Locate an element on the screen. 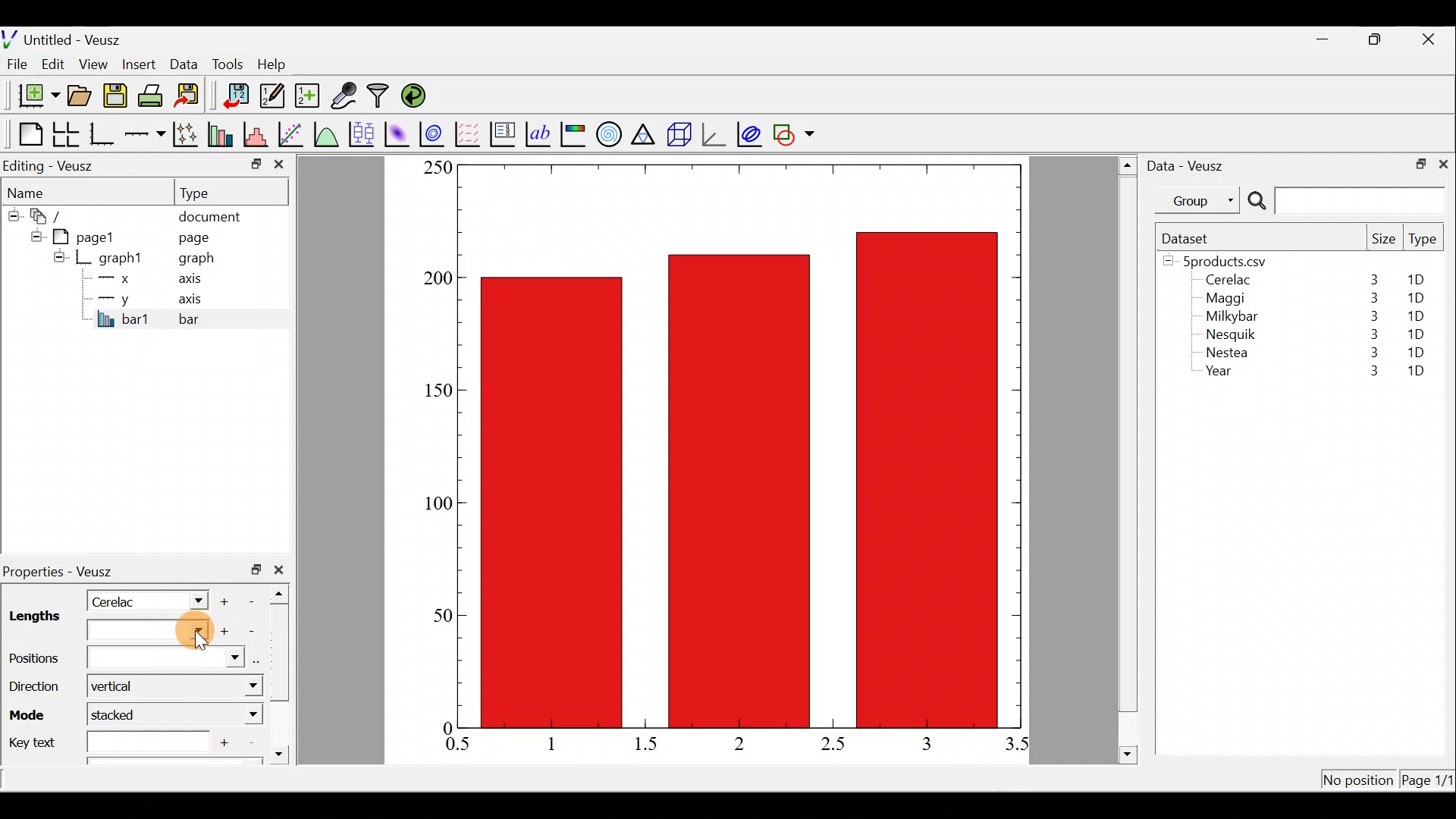 This screenshot has width=1456, height=819. Text label is located at coordinates (540, 132).